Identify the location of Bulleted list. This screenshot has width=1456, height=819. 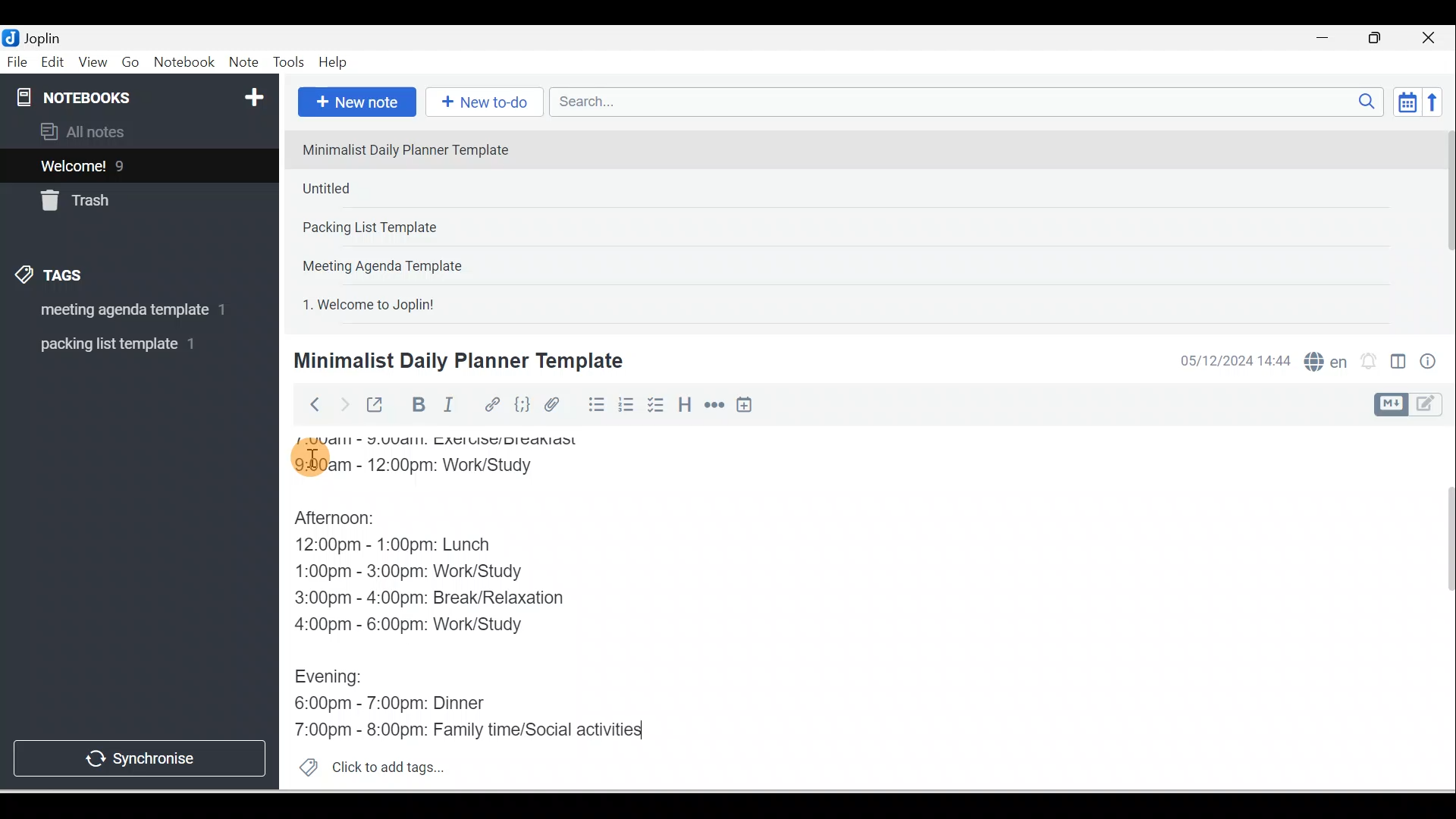
(593, 404).